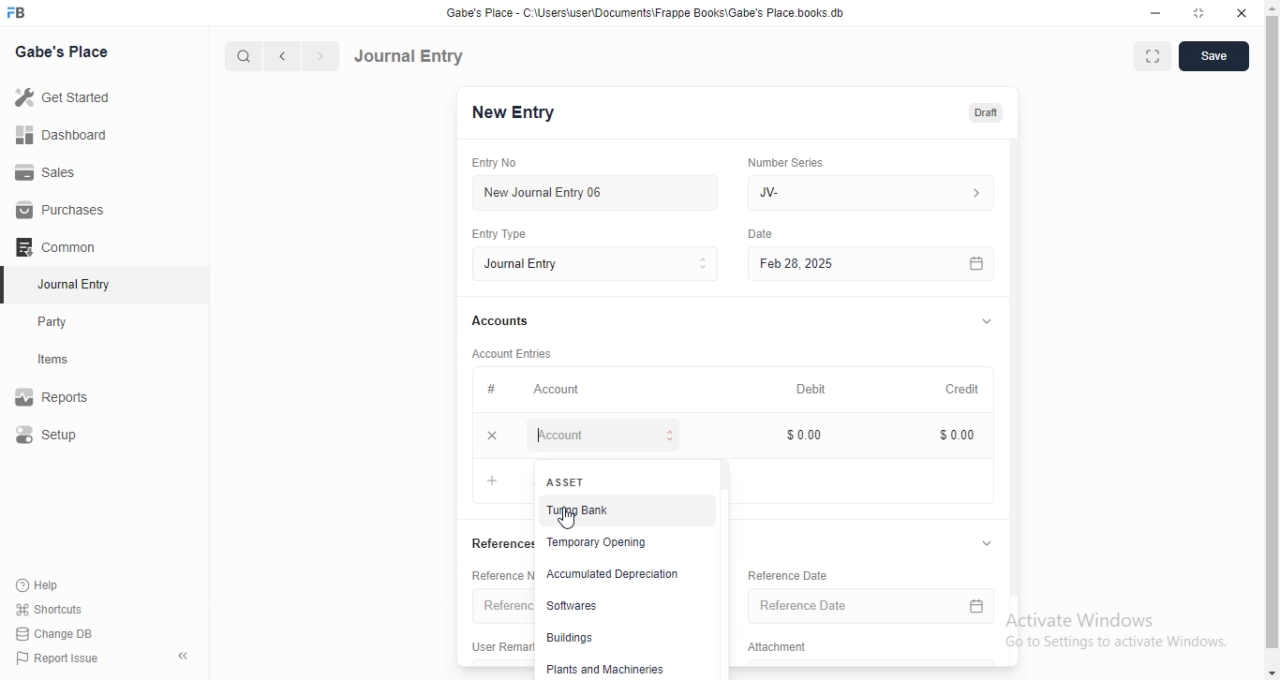 Image resolution: width=1280 pixels, height=680 pixels. Describe the element at coordinates (65, 286) in the screenshot. I see `Journal Entry` at that location.